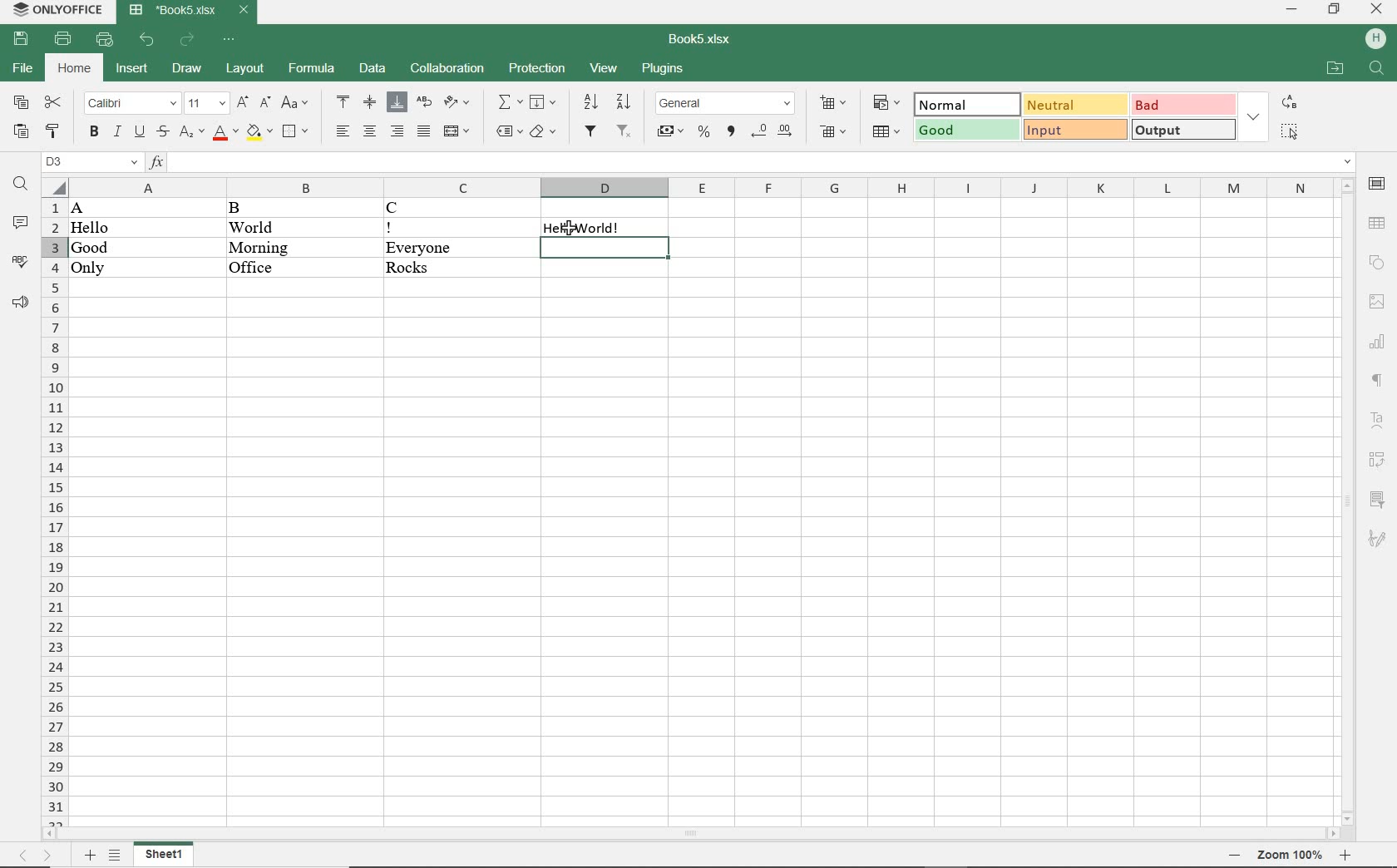  What do you see at coordinates (52, 186) in the screenshot?
I see `Select all cells` at bounding box center [52, 186].